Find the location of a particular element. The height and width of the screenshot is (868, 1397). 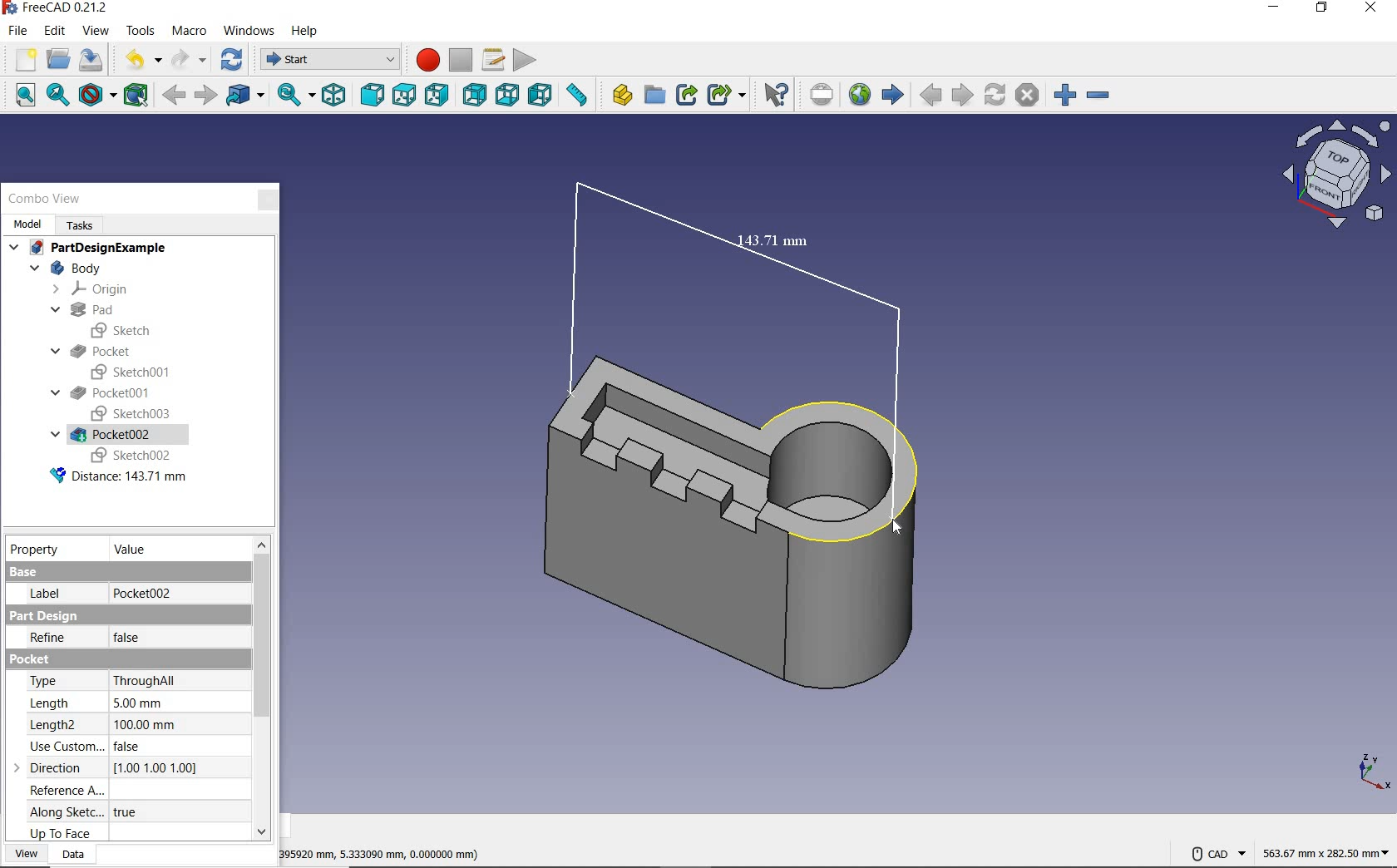

up to face is located at coordinates (64, 834).